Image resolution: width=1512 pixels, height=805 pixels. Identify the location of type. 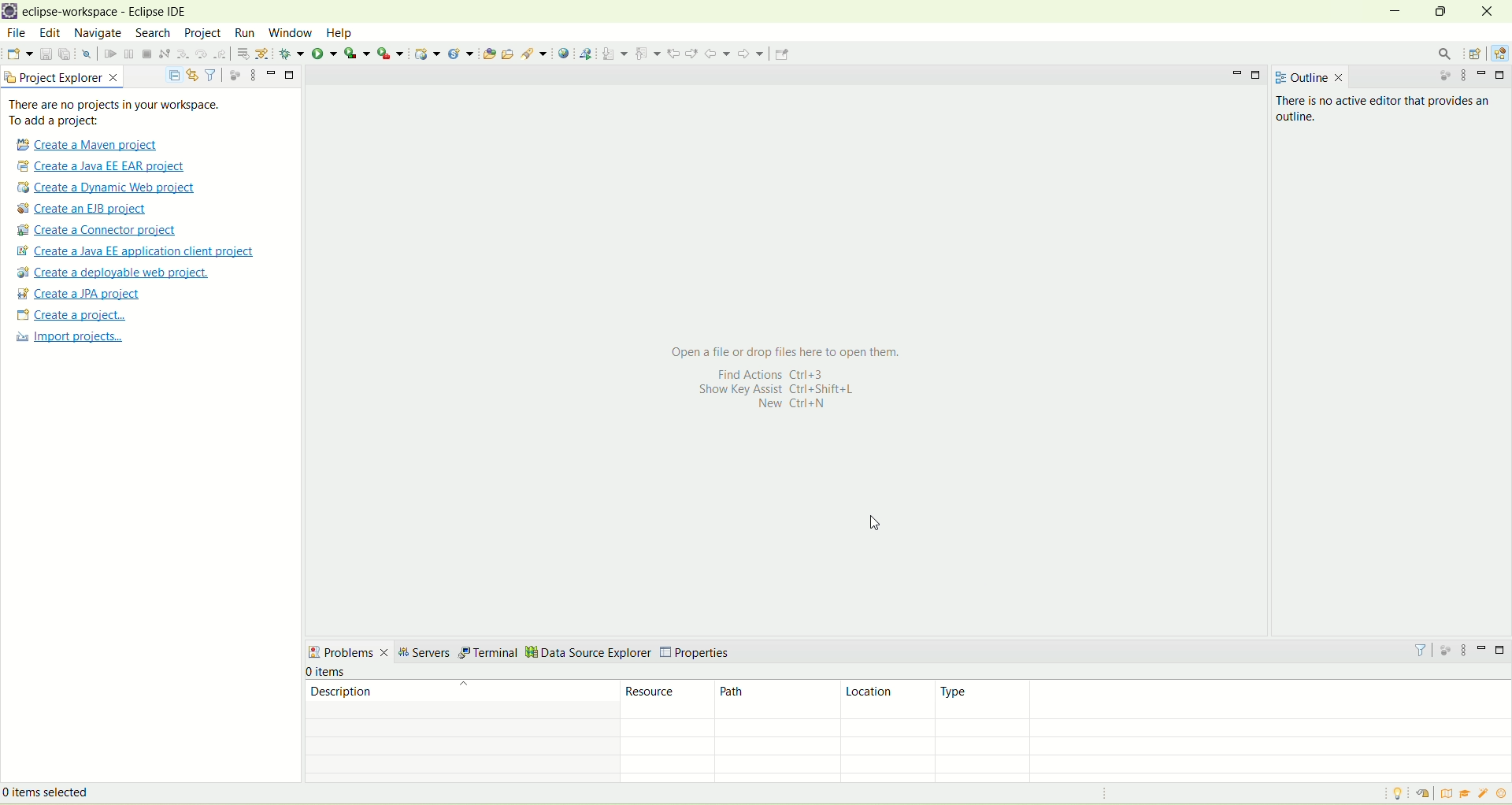
(1225, 699).